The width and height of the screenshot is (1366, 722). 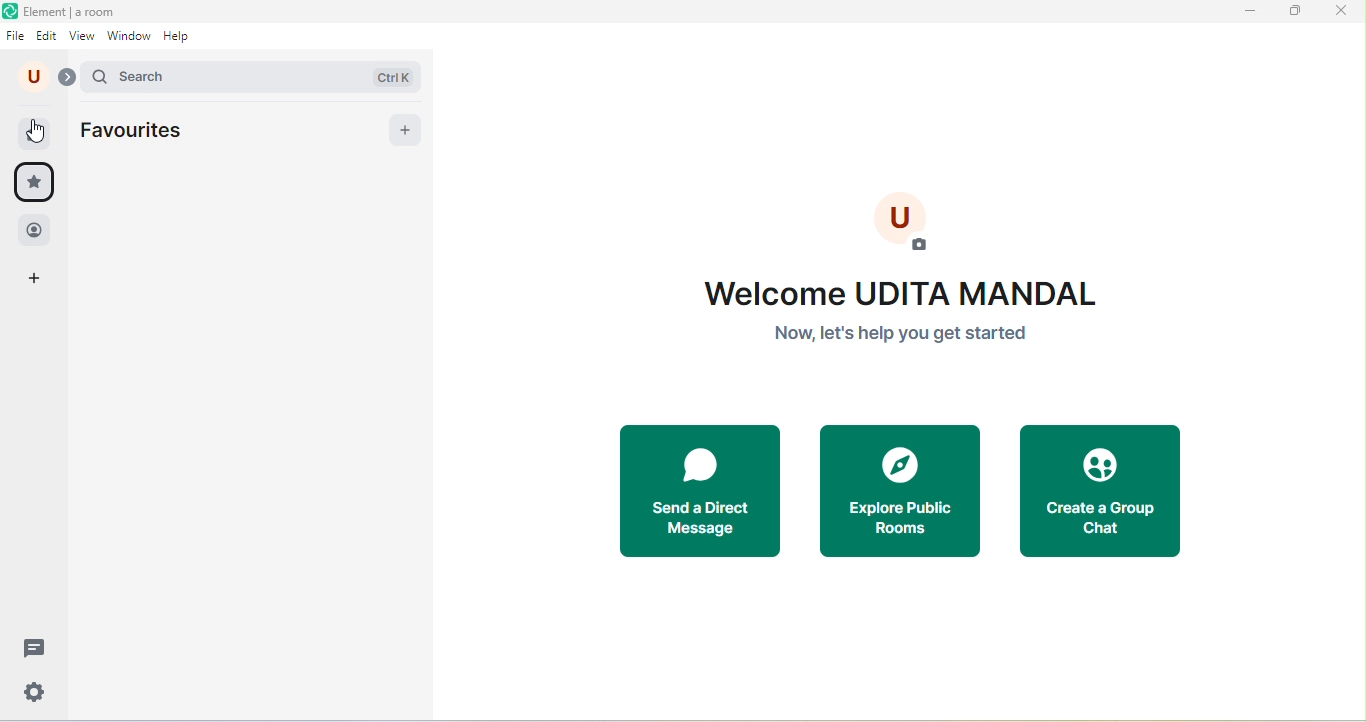 What do you see at coordinates (41, 136) in the screenshot?
I see `cursor` at bounding box center [41, 136].